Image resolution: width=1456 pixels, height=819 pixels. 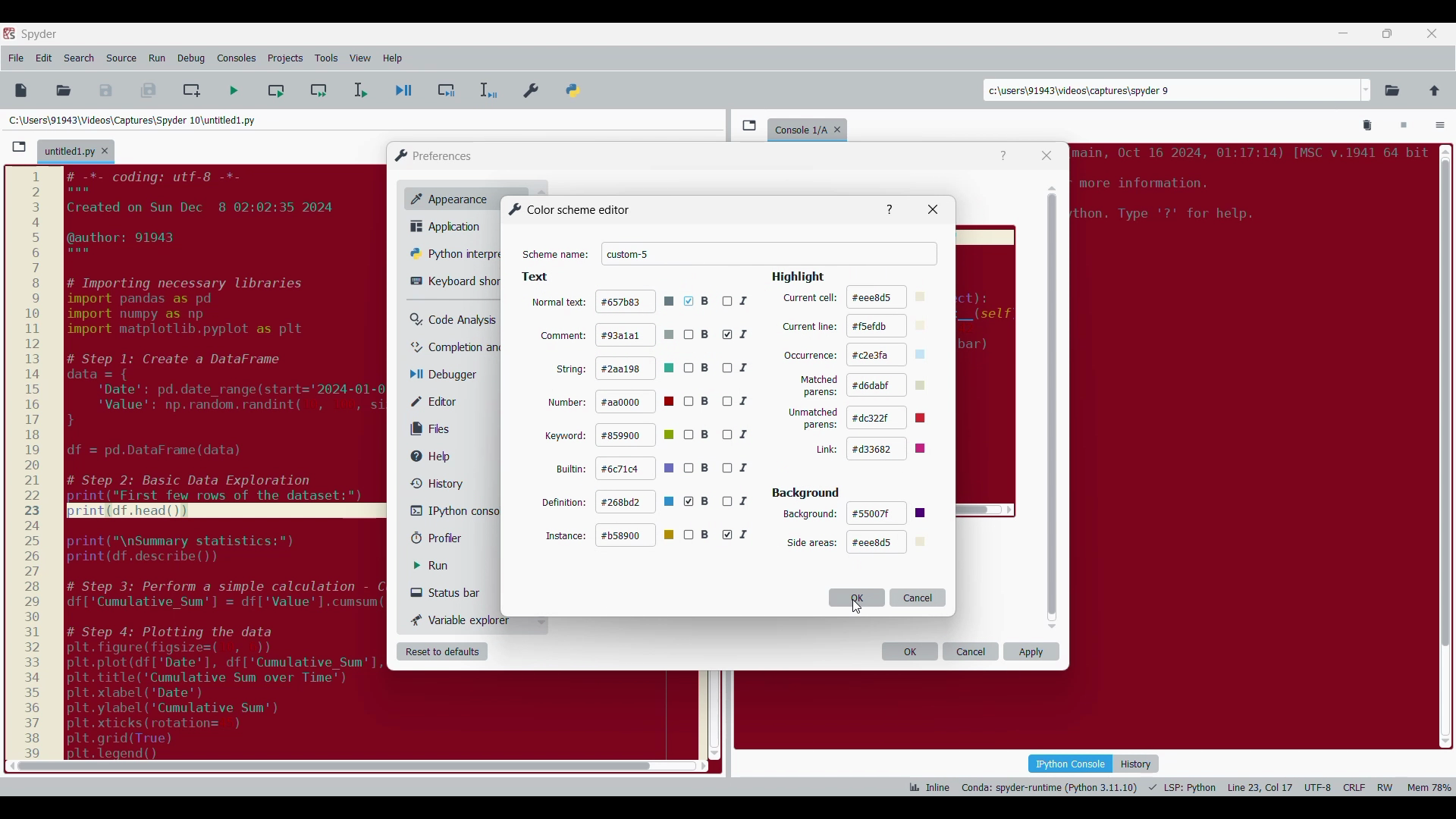 What do you see at coordinates (809, 298) in the screenshot?
I see `current cell` at bounding box center [809, 298].